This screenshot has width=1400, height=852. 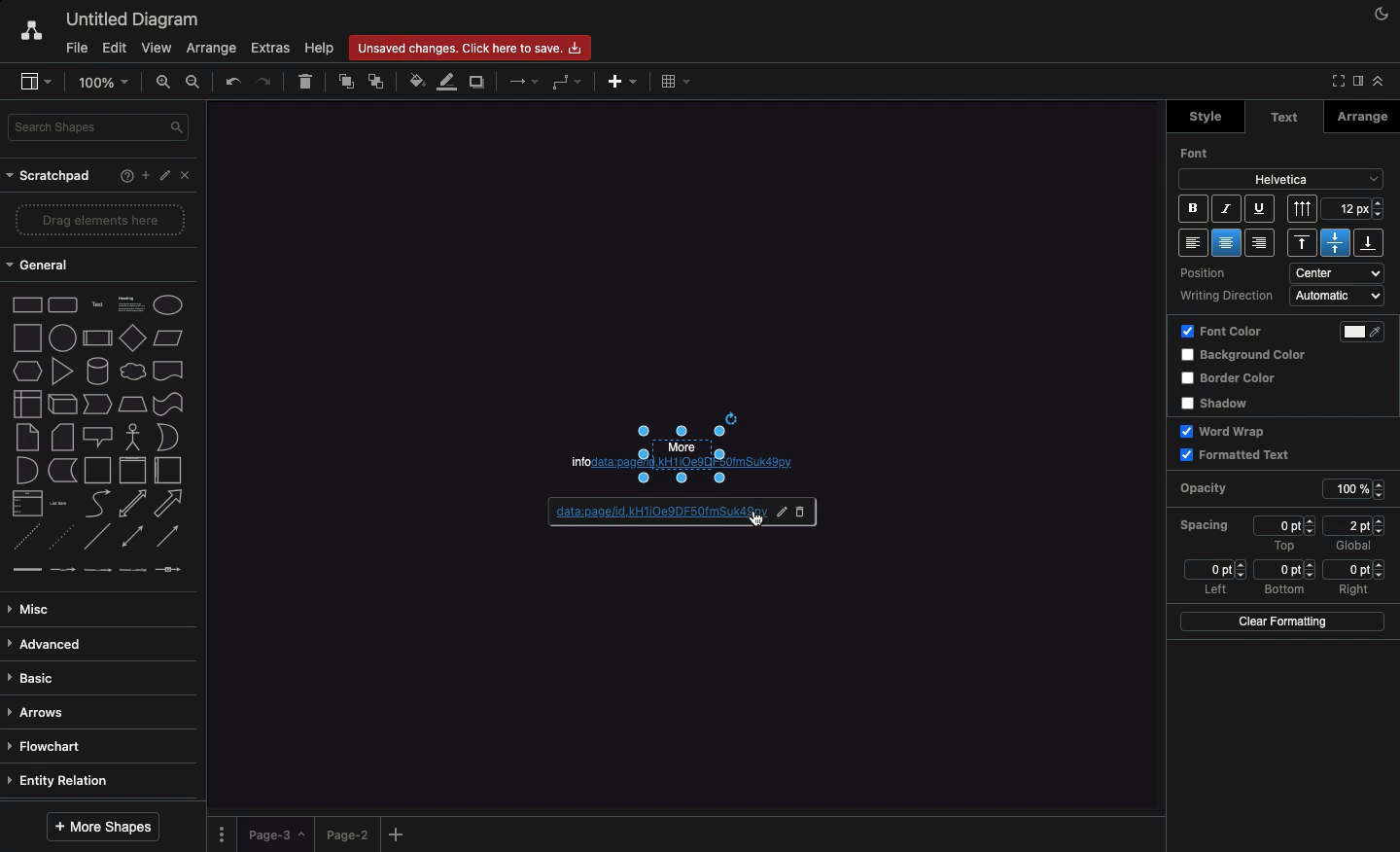 What do you see at coordinates (1283, 546) in the screenshot?
I see `Top` at bounding box center [1283, 546].